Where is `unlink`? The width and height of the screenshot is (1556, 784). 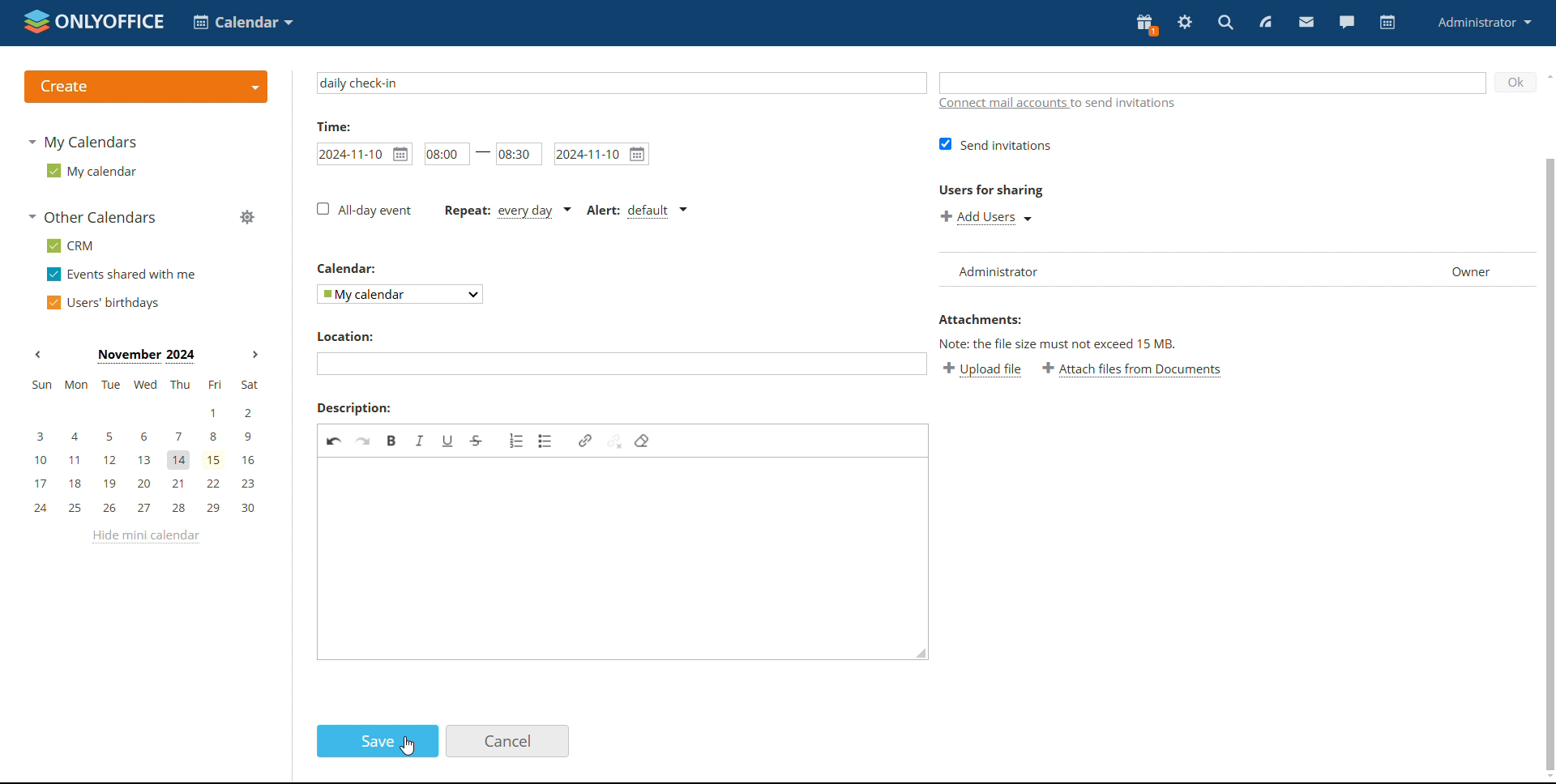
unlink is located at coordinates (613, 439).